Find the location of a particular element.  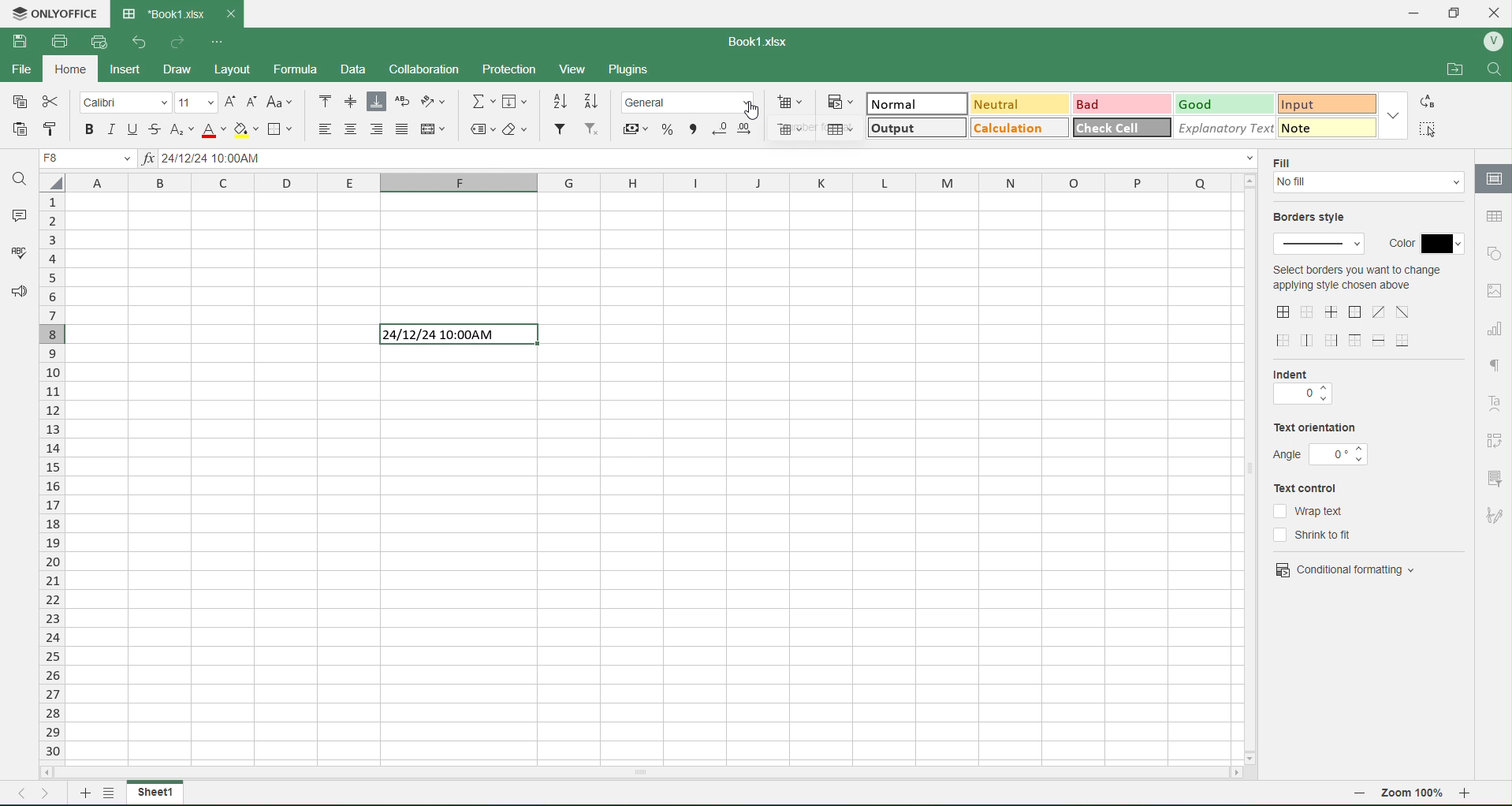

show/hide paragraph is located at coordinates (1494, 364).